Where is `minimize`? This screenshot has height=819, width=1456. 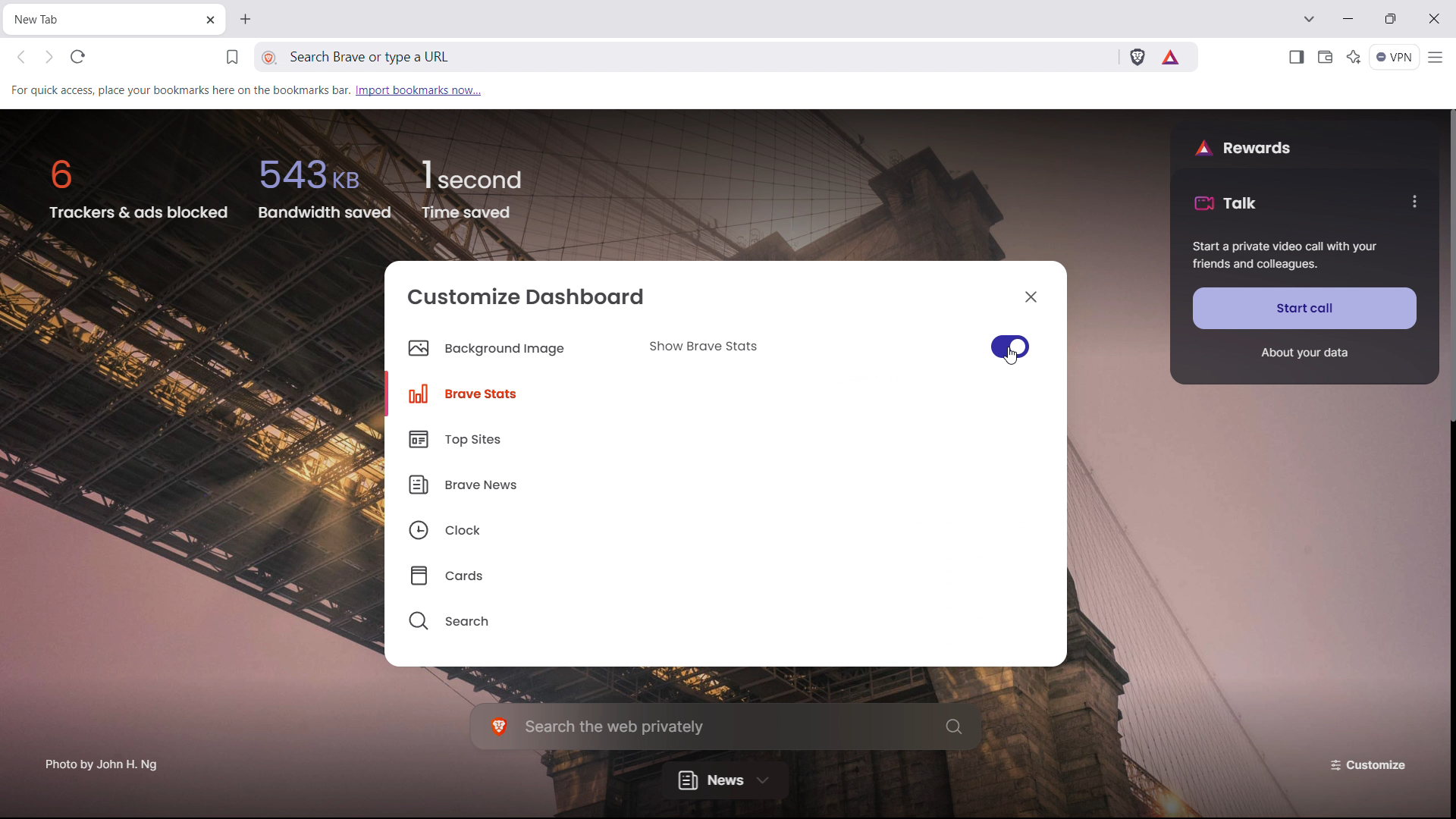
minimize is located at coordinates (1349, 17).